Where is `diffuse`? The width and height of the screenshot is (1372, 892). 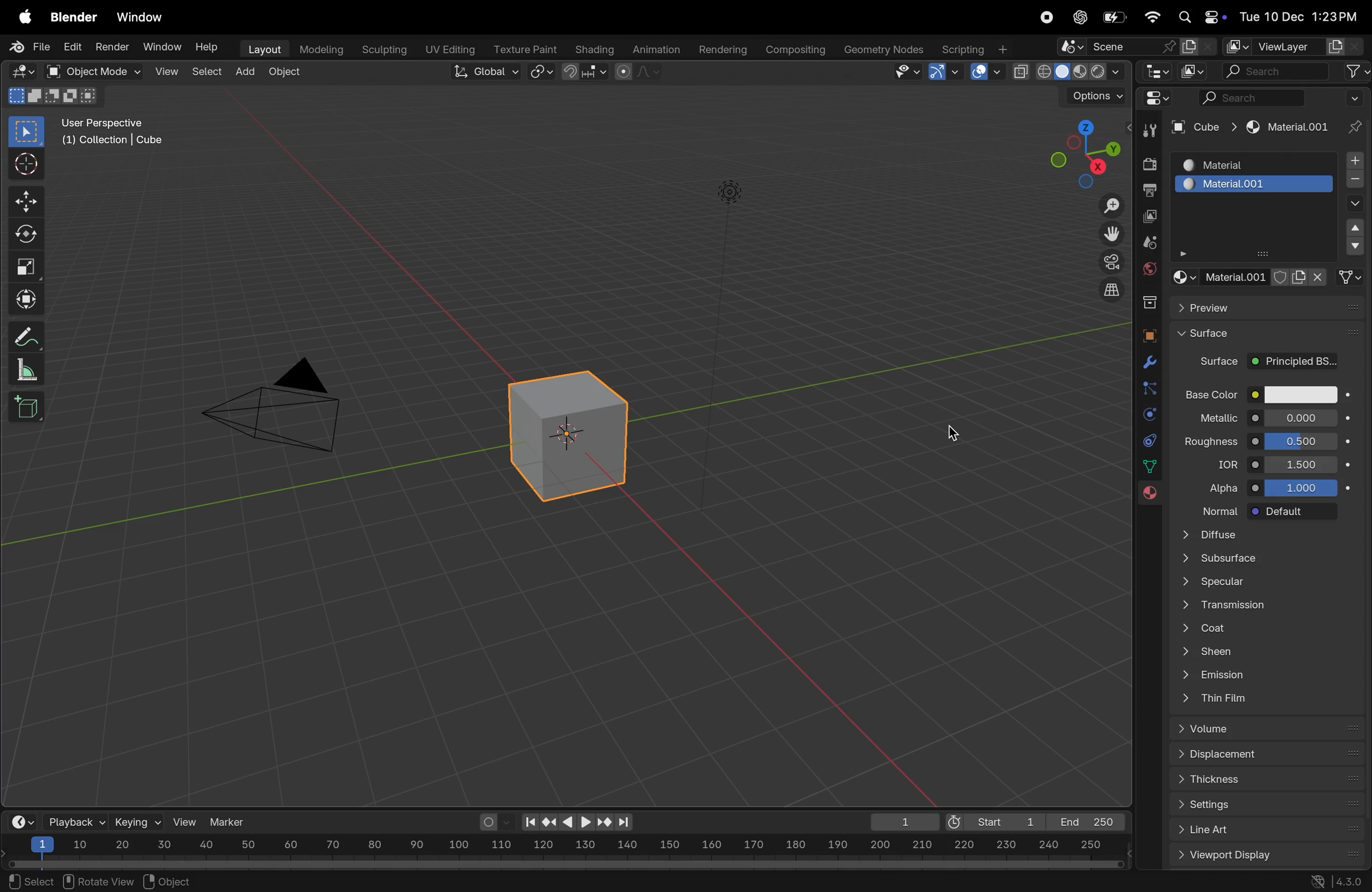 diffuse is located at coordinates (1269, 535).